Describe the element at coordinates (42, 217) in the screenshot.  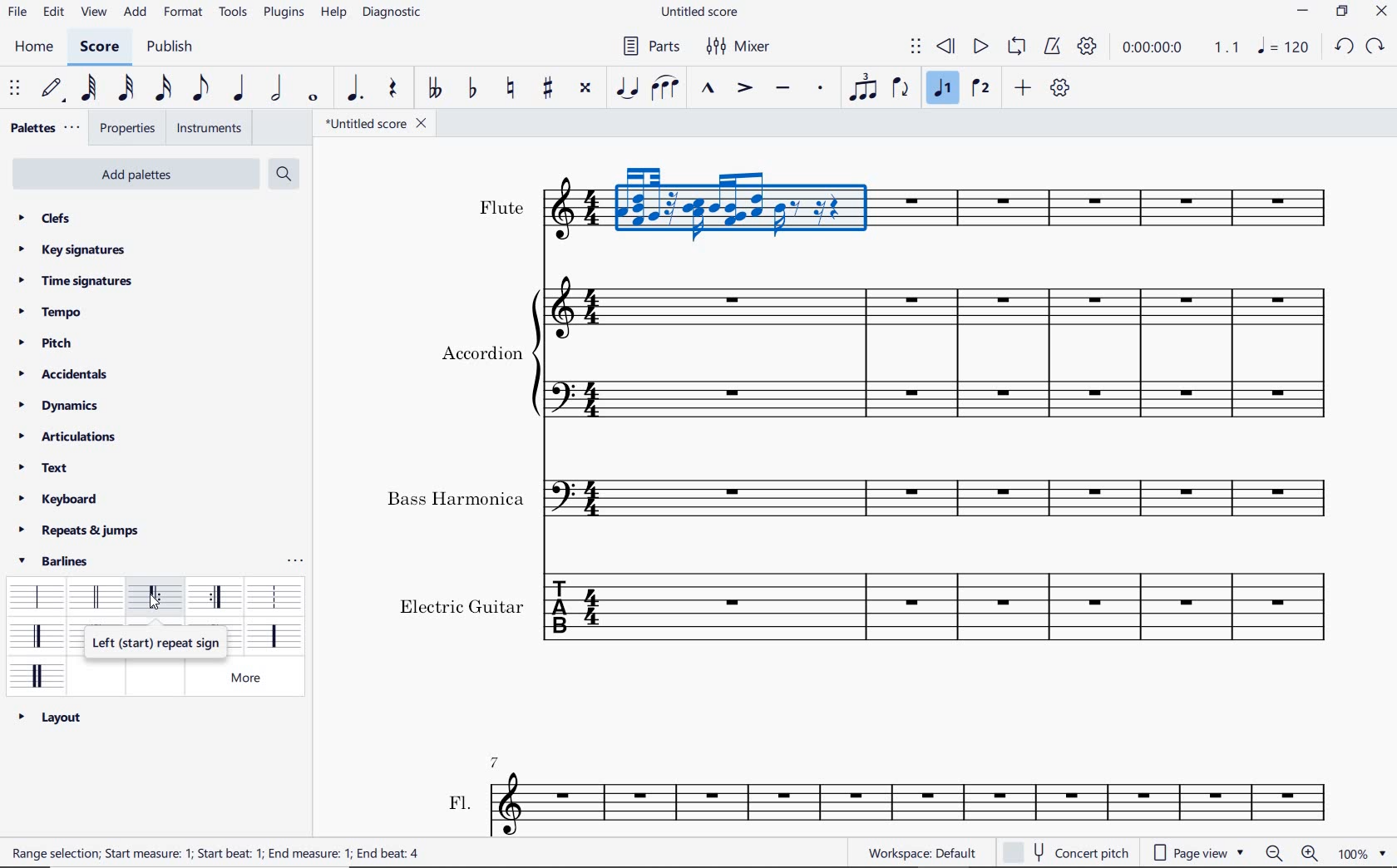
I see `clefs` at that location.